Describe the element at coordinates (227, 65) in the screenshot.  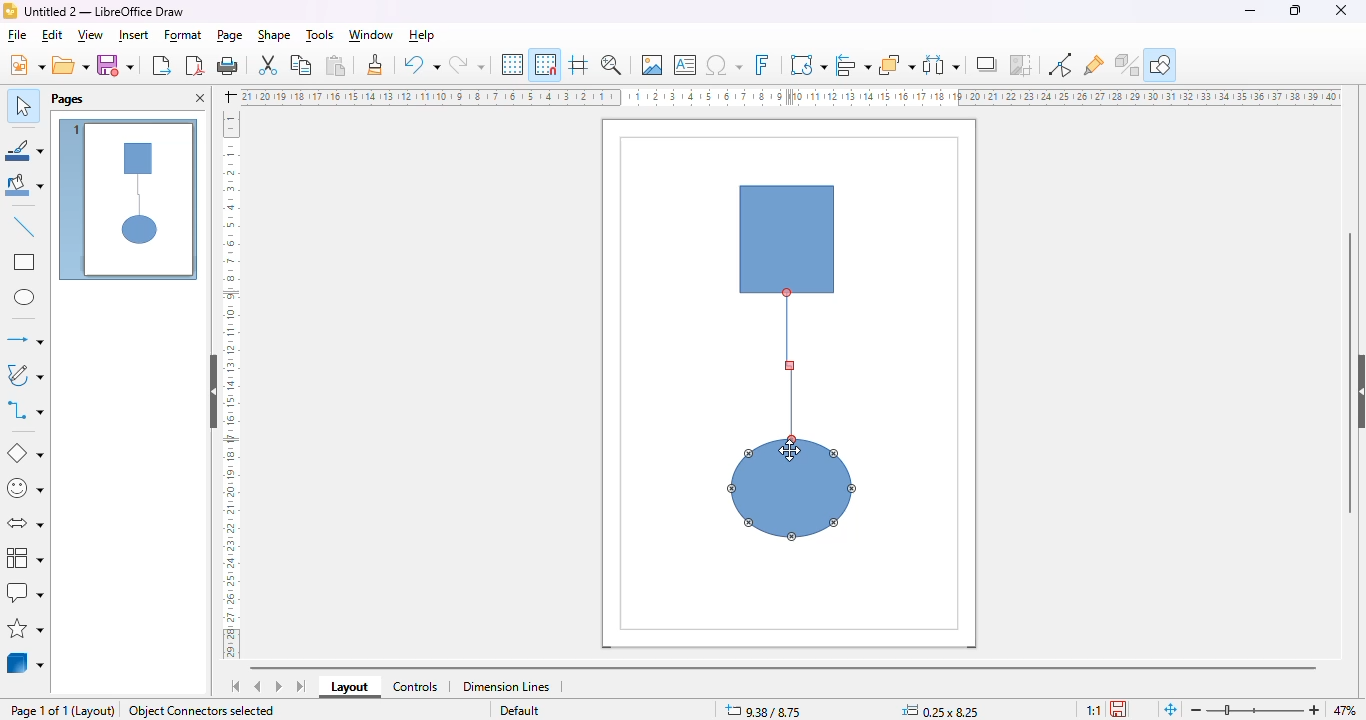
I see `print` at that location.